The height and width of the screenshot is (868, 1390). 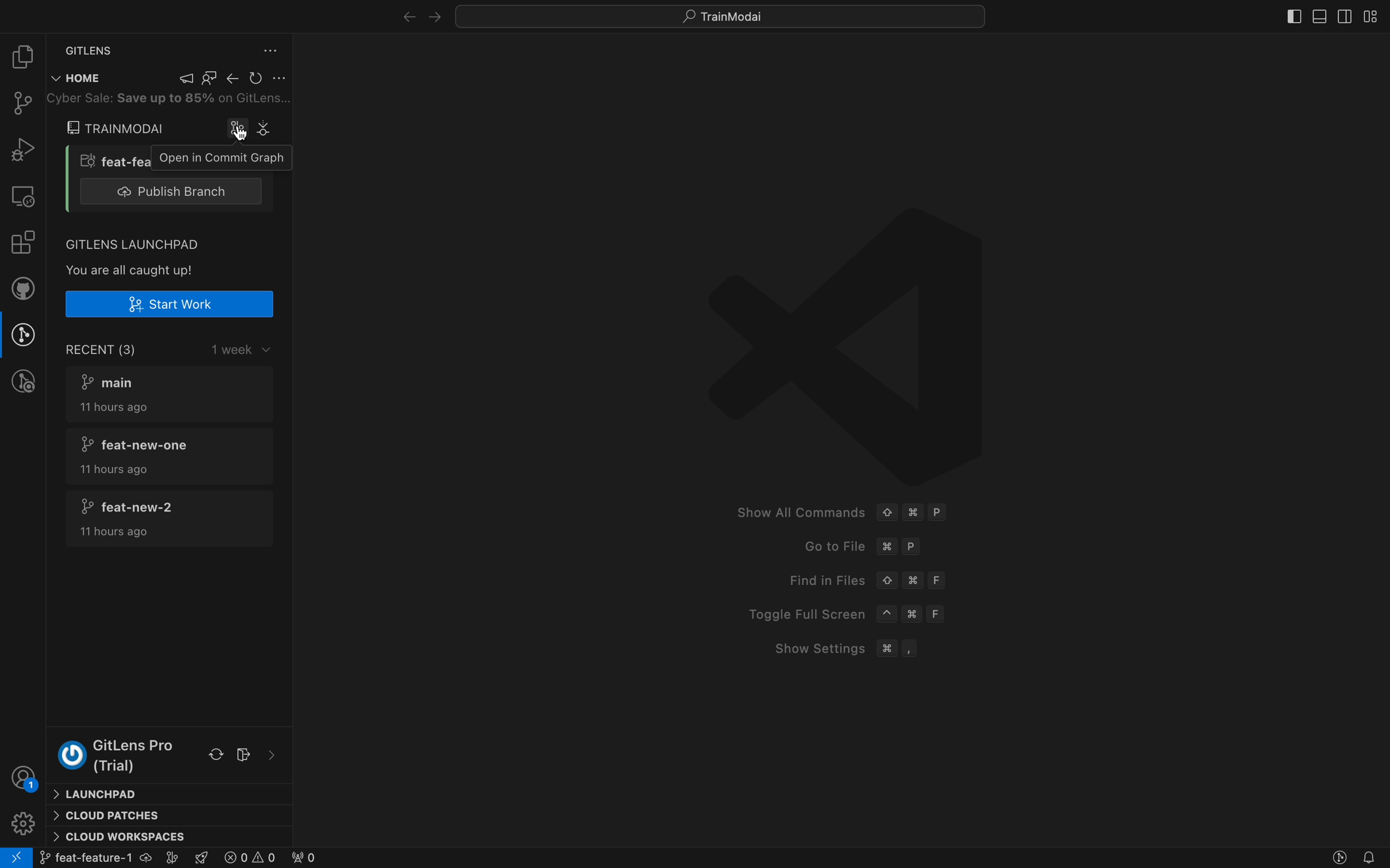 What do you see at coordinates (173, 190) in the screenshot?
I see `publish` at bounding box center [173, 190].